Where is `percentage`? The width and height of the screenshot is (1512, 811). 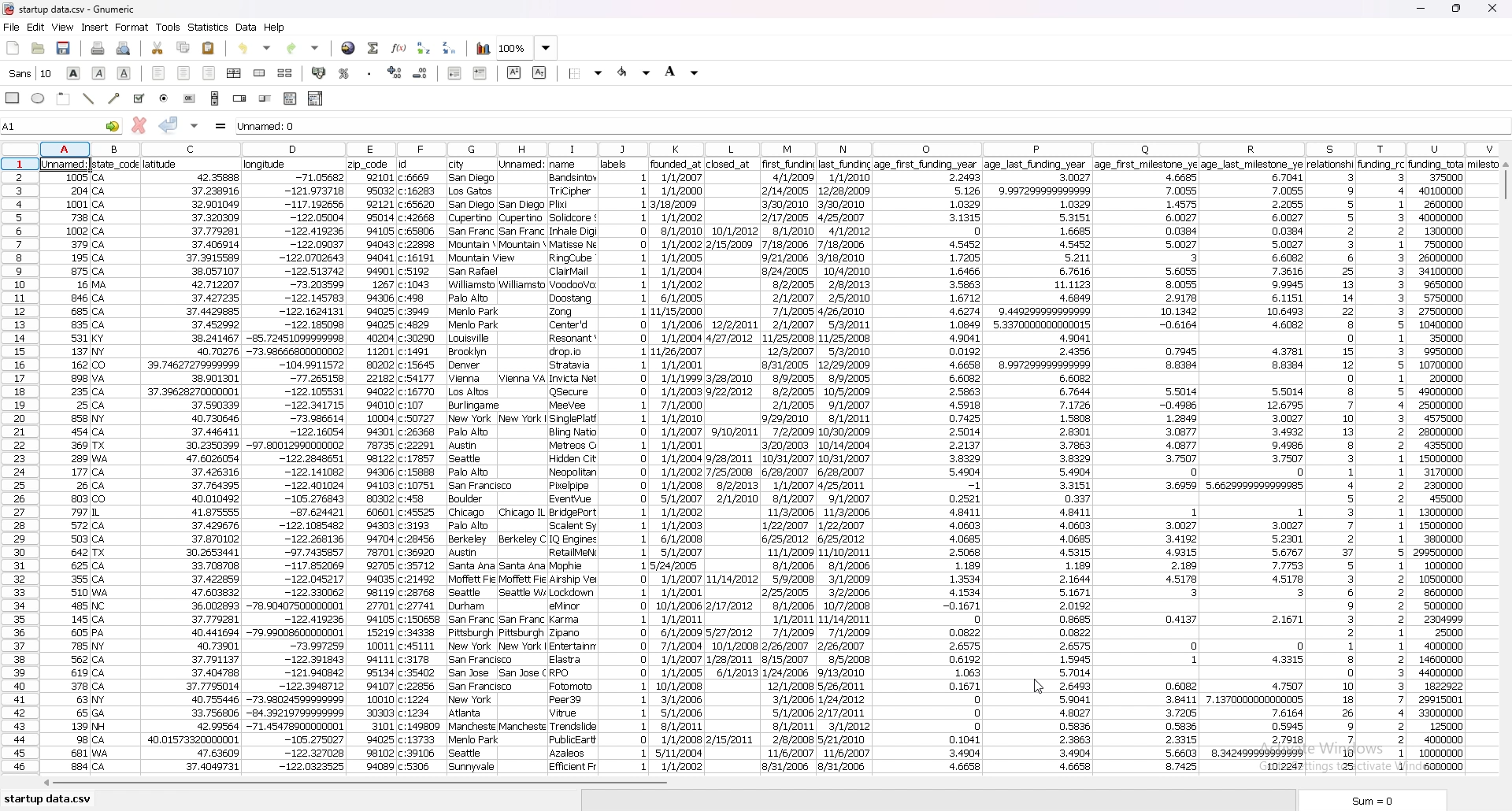
percentage is located at coordinates (345, 73).